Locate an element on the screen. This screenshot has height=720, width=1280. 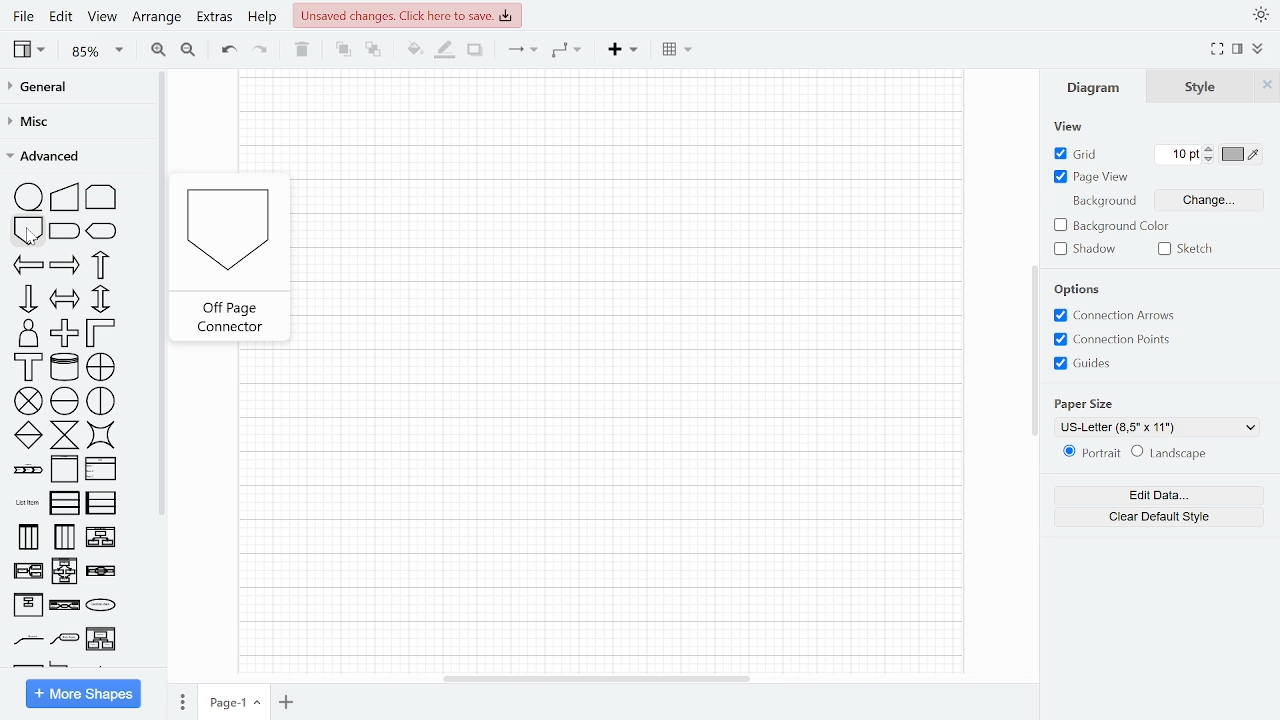
vertical pool 2 is located at coordinates (64, 536).